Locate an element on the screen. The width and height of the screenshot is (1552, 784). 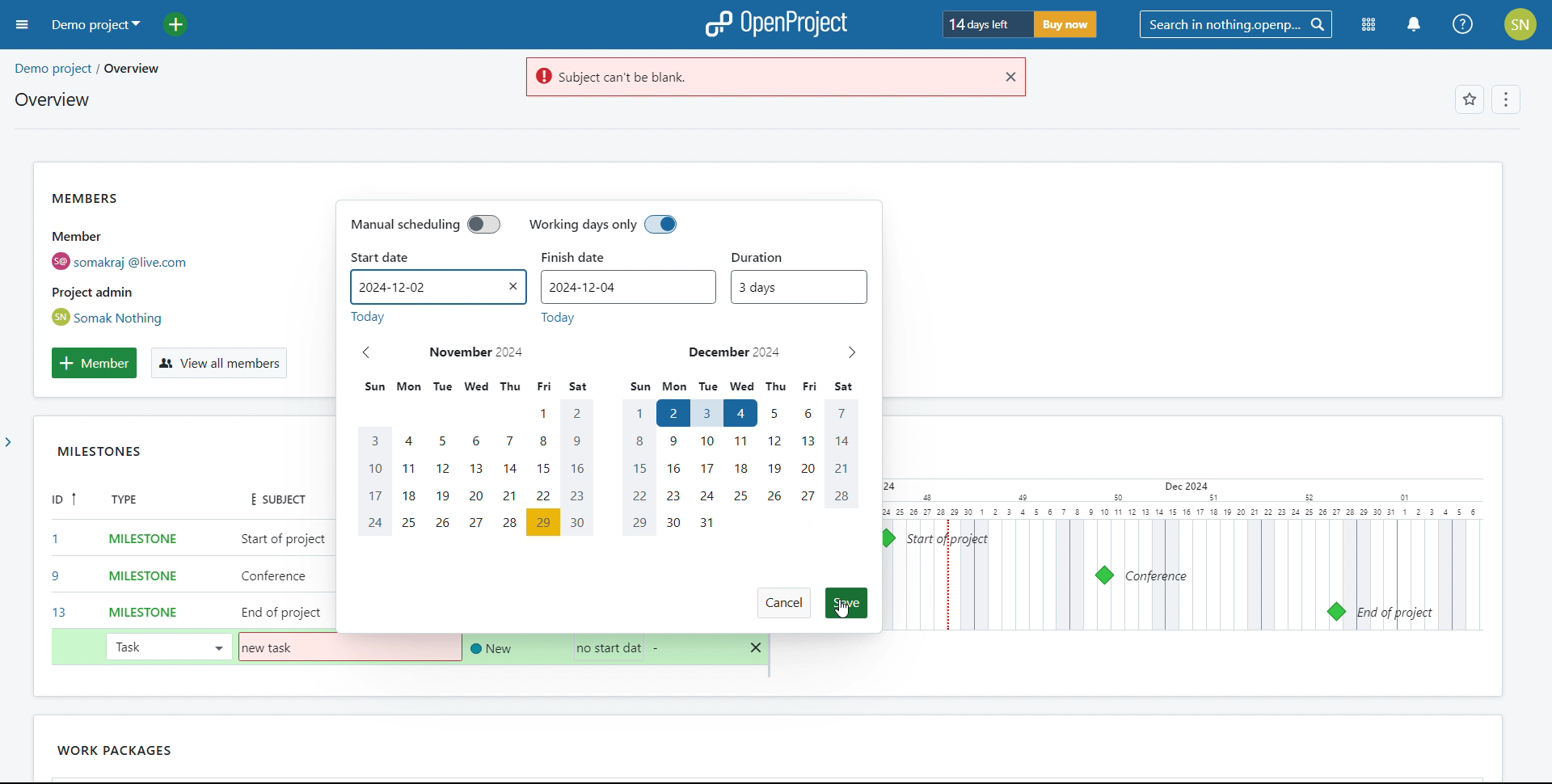
id is located at coordinates (58, 558).